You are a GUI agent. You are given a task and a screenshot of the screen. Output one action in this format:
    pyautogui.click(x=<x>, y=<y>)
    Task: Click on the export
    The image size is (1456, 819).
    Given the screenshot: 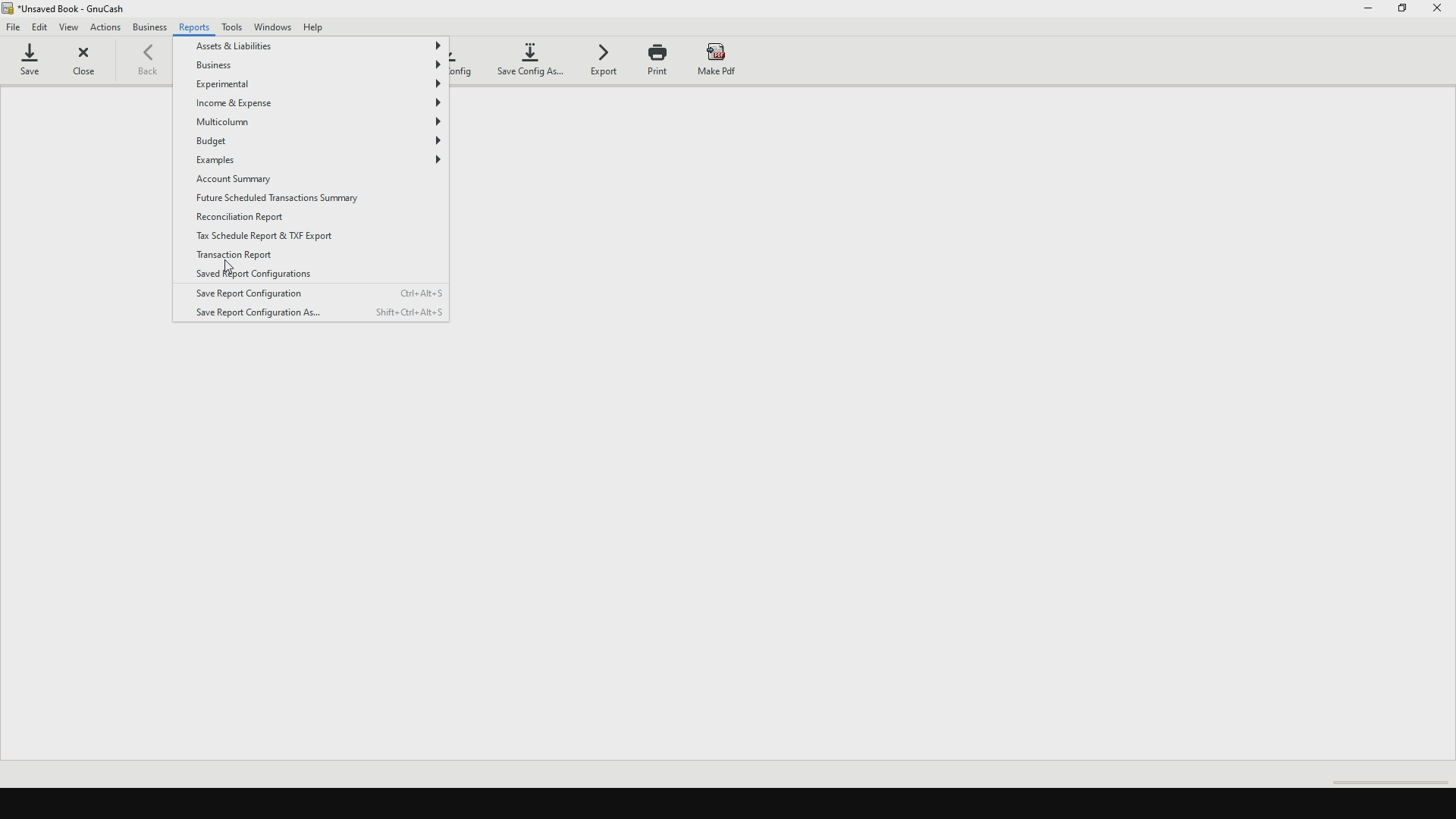 What is the action you would take?
    pyautogui.click(x=604, y=64)
    